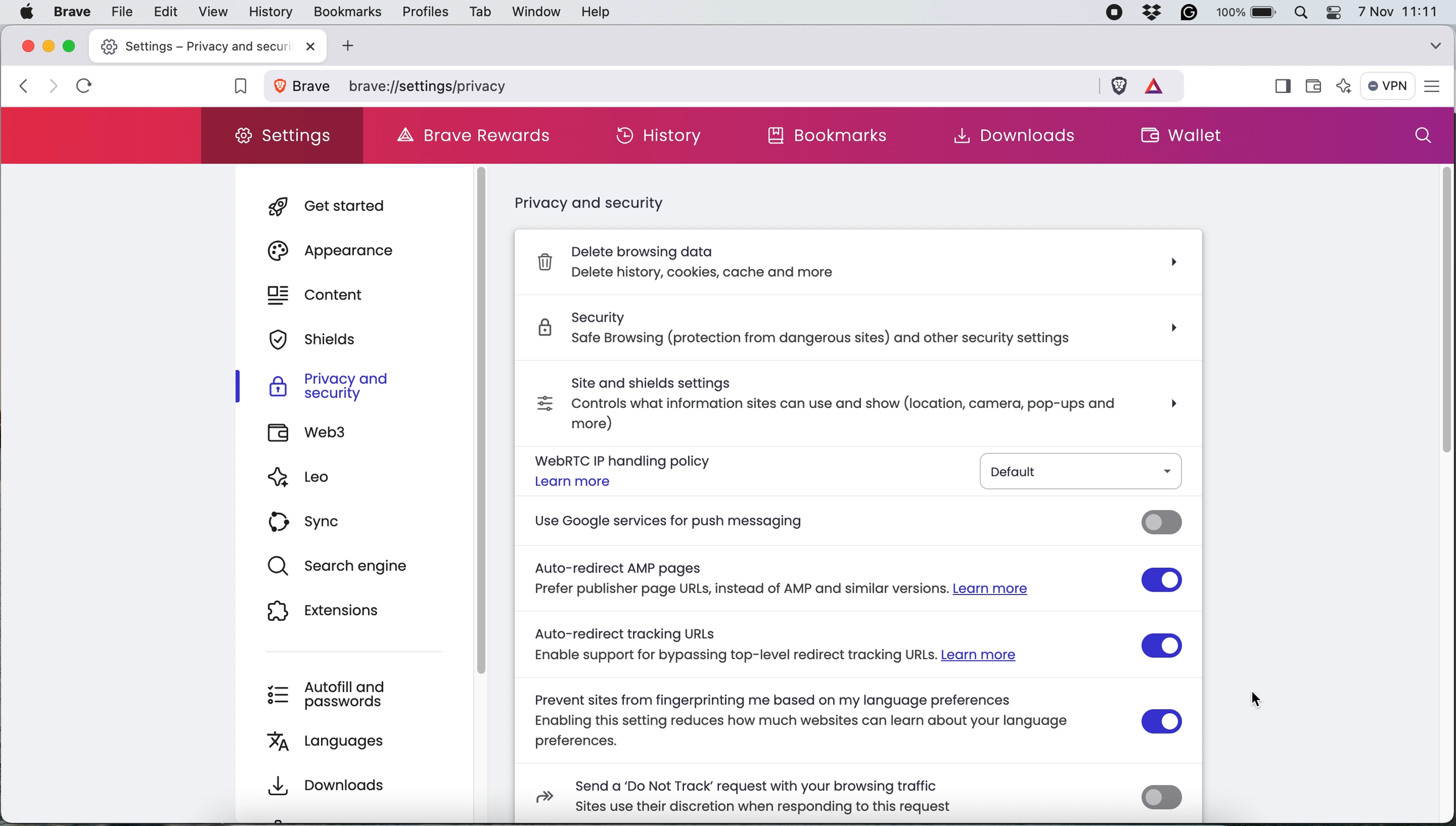 The width and height of the screenshot is (1456, 826). I want to click on brave rewards, so click(476, 135).